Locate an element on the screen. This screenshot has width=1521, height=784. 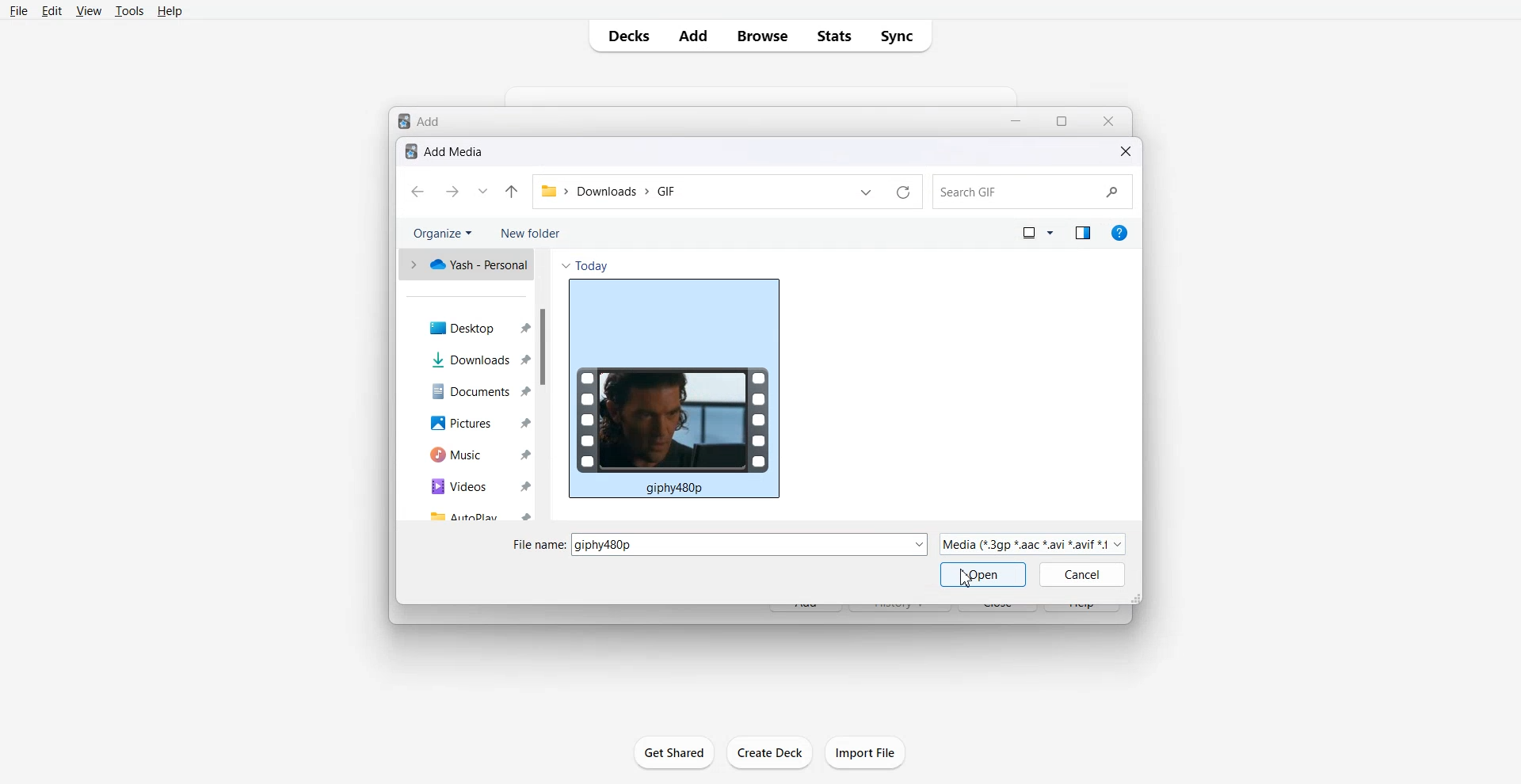
Add is located at coordinates (692, 36).